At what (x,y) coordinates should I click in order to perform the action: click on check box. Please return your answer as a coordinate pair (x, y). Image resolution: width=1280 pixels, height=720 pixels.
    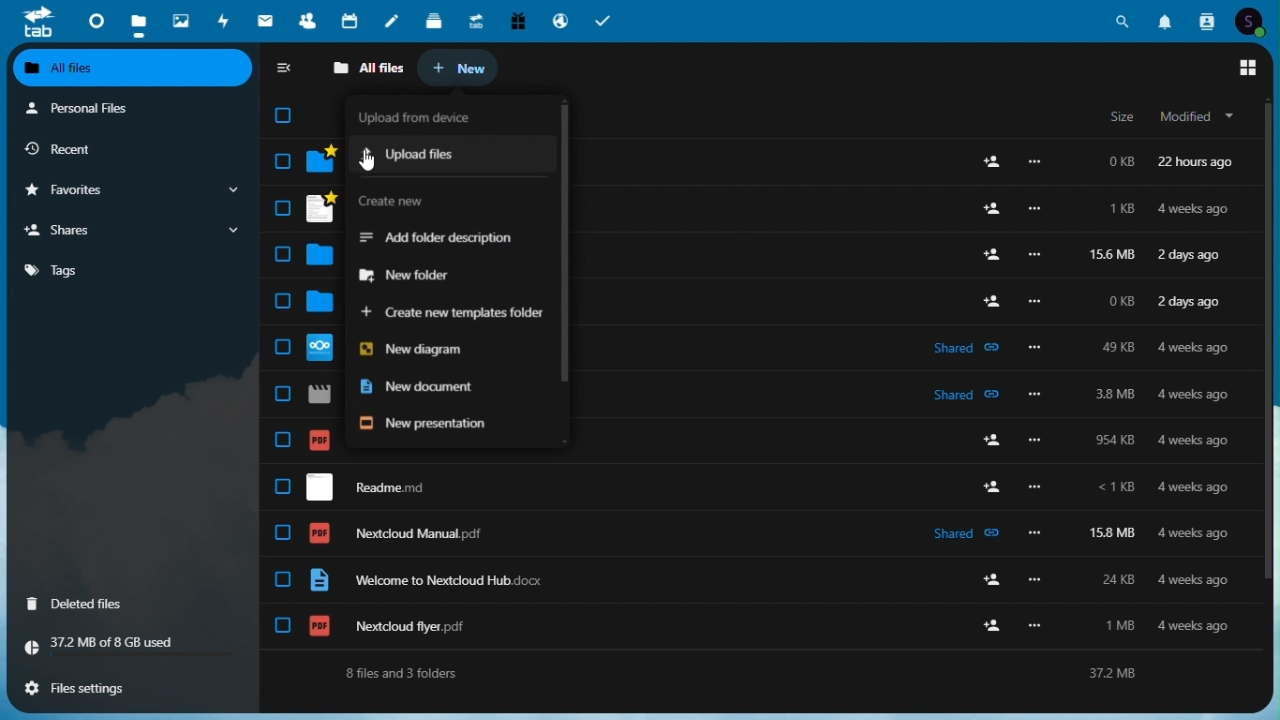
    Looking at the image, I should click on (284, 207).